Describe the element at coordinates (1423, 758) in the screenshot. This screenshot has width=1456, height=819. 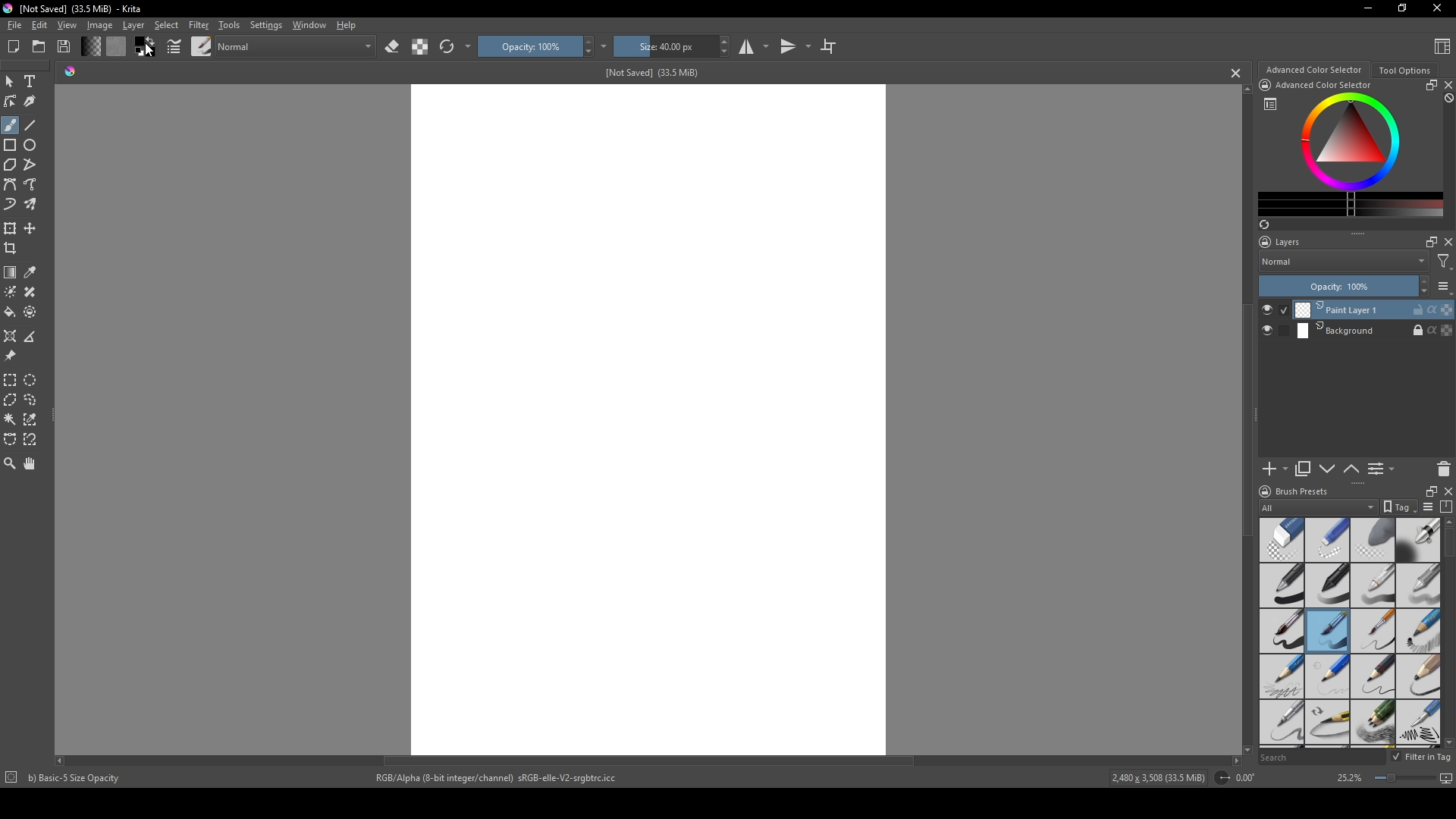
I see `Filter in tag` at that location.